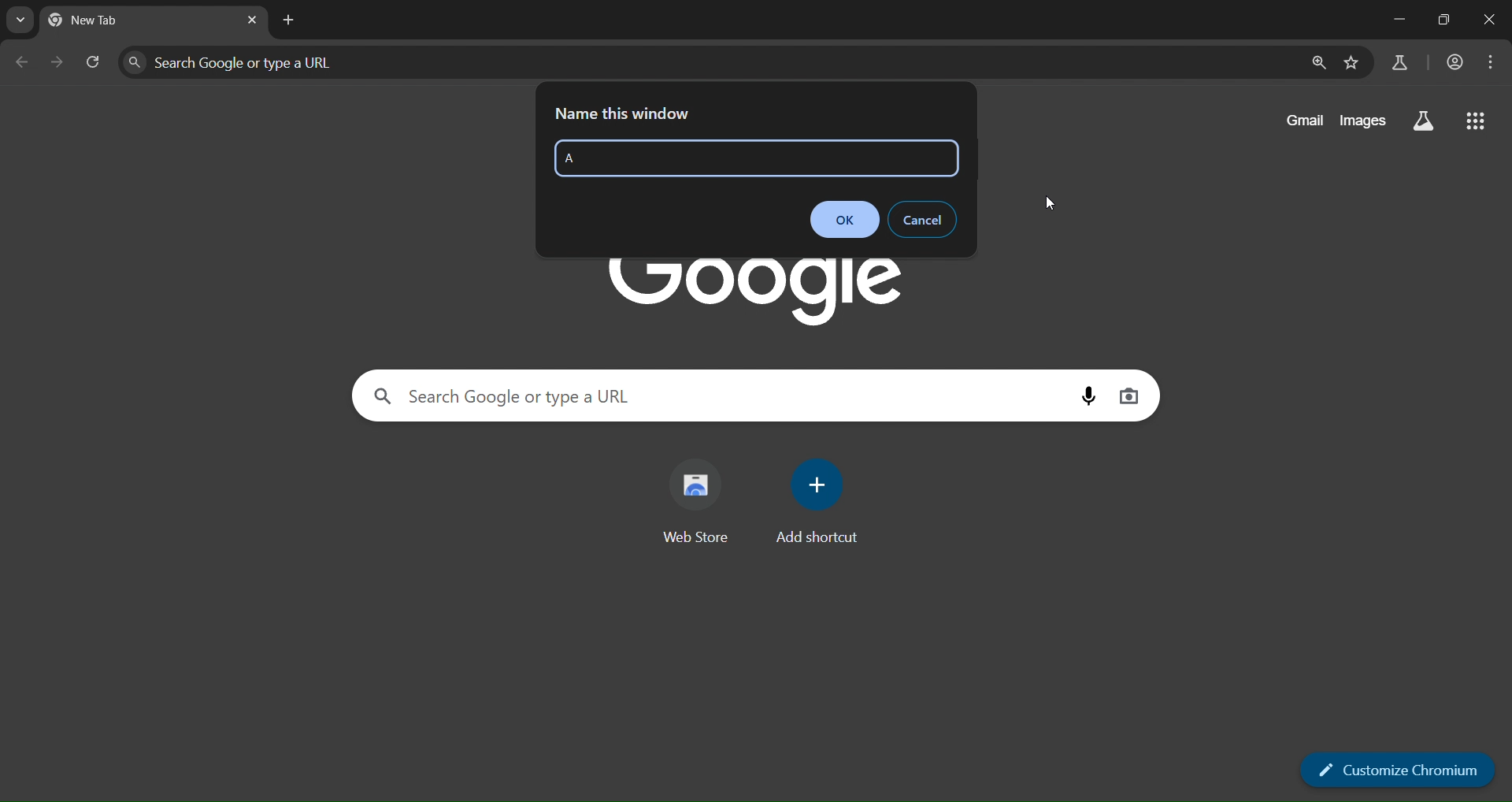  What do you see at coordinates (1491, 19) in the screenshot?
I see `close` at bounding box center [1491, 19].